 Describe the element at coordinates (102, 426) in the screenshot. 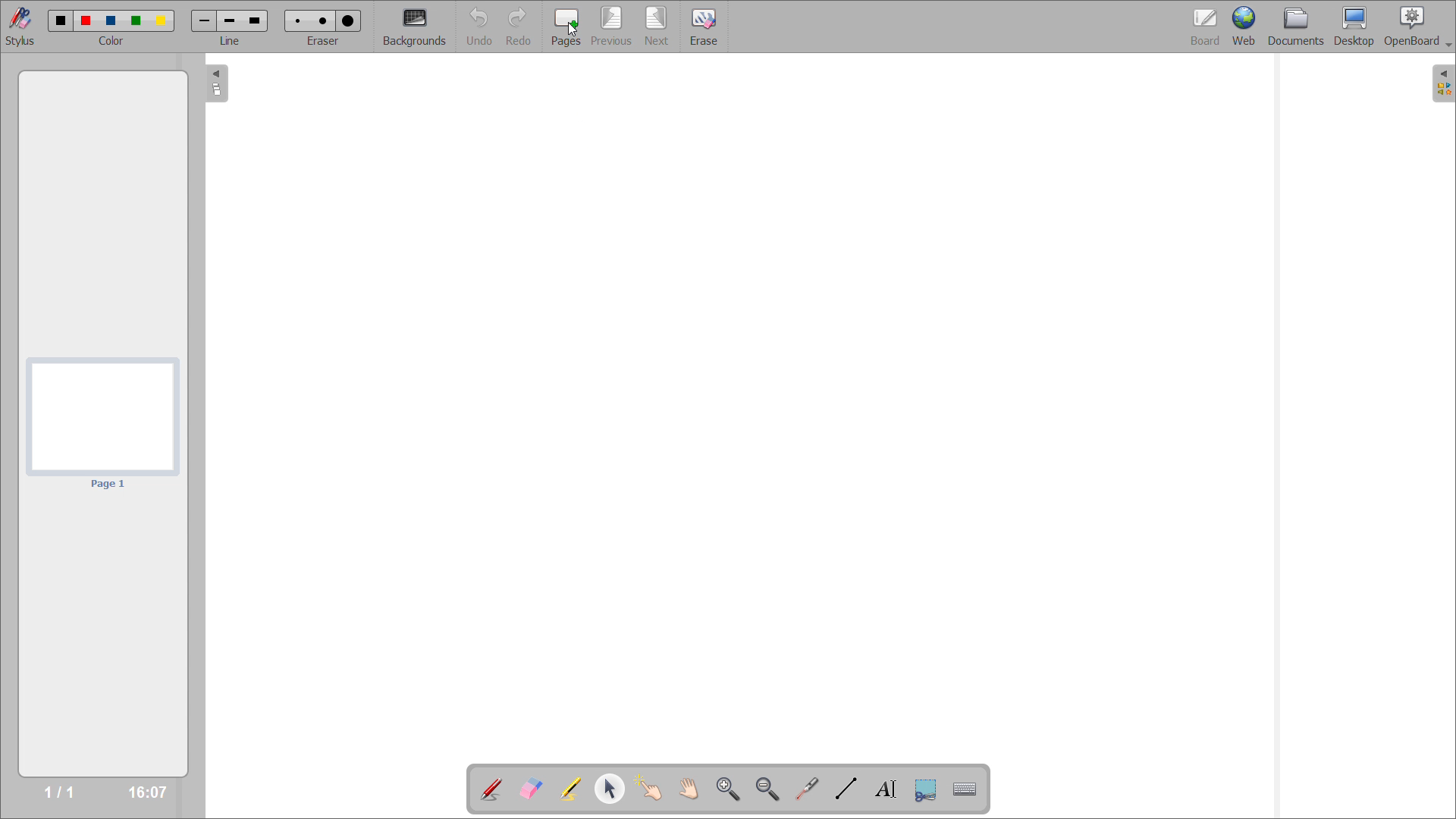

I see `page 1` at that location.